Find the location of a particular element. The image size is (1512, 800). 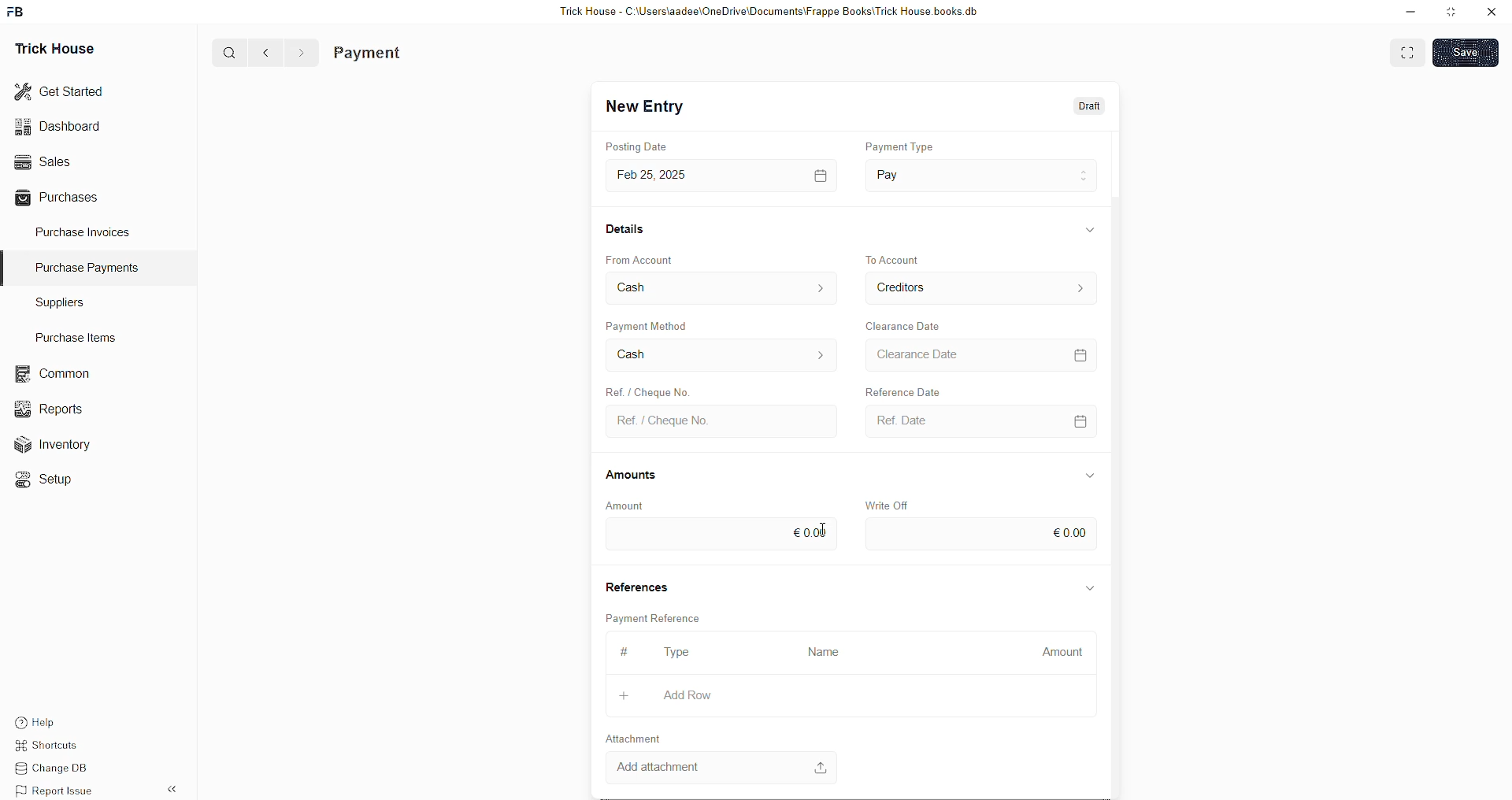

to account is located at coordinates (899, 257).